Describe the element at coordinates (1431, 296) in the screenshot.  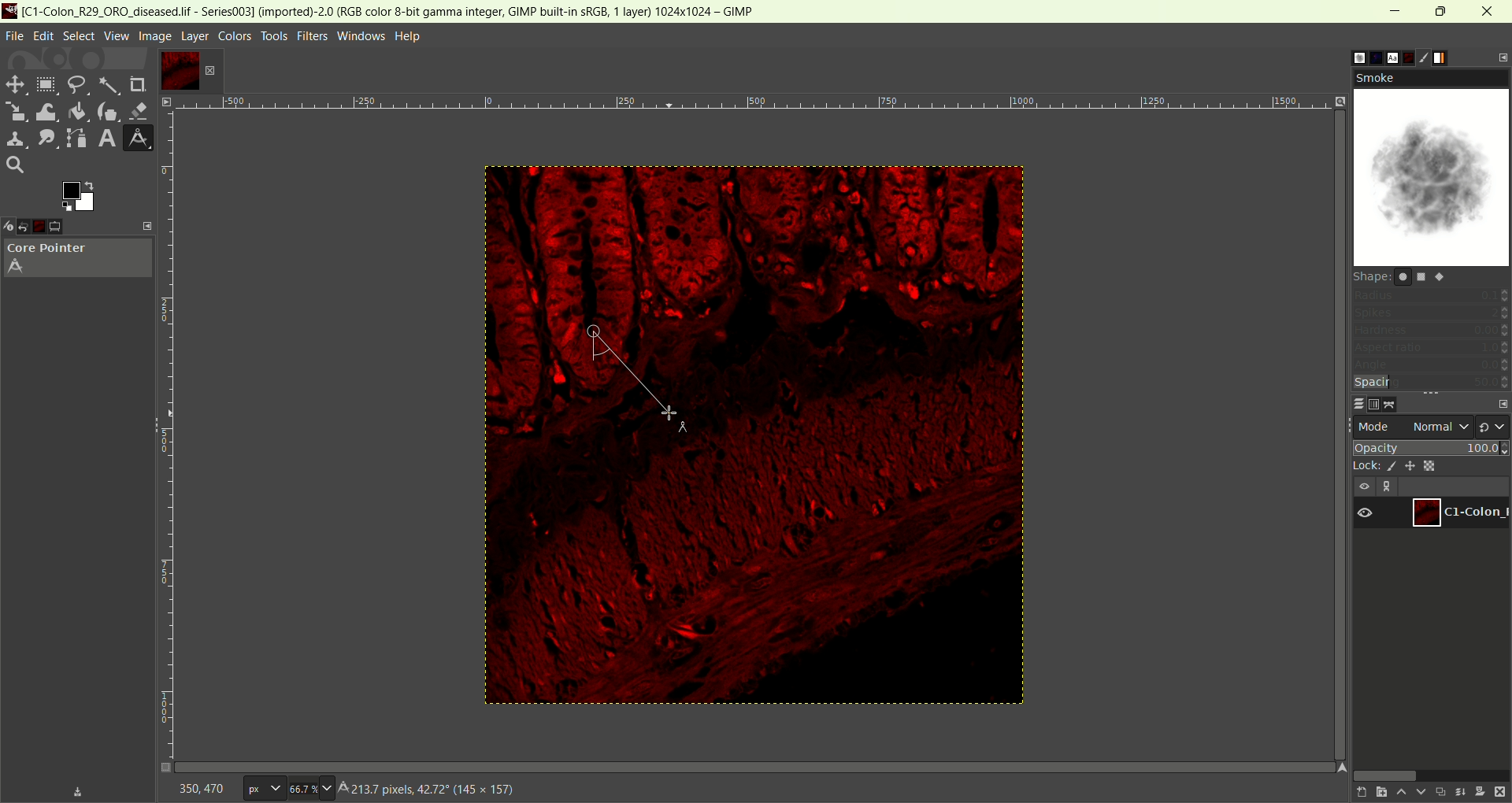
I see `radius` at that location.